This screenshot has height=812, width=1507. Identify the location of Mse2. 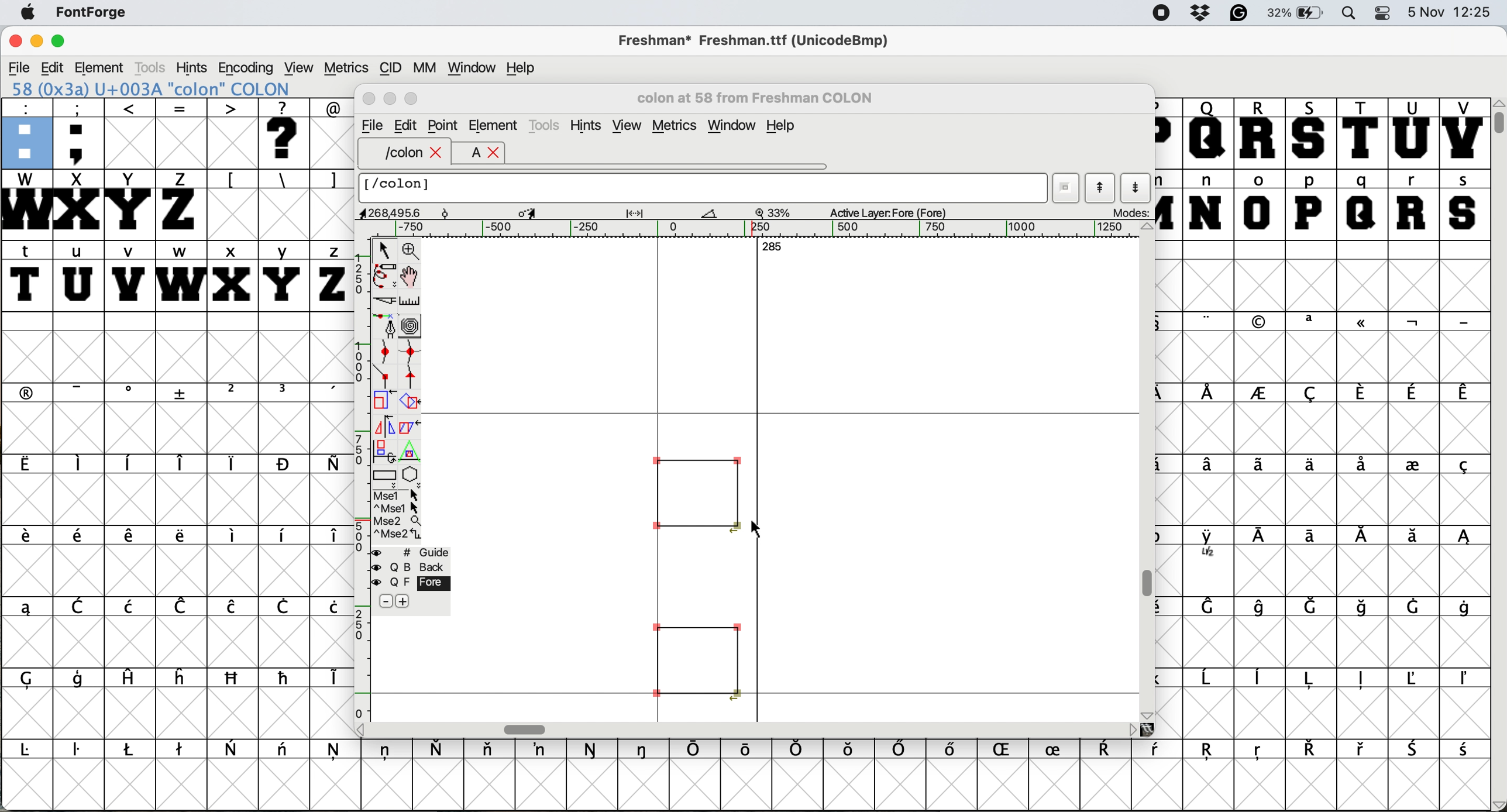
(397, 519).